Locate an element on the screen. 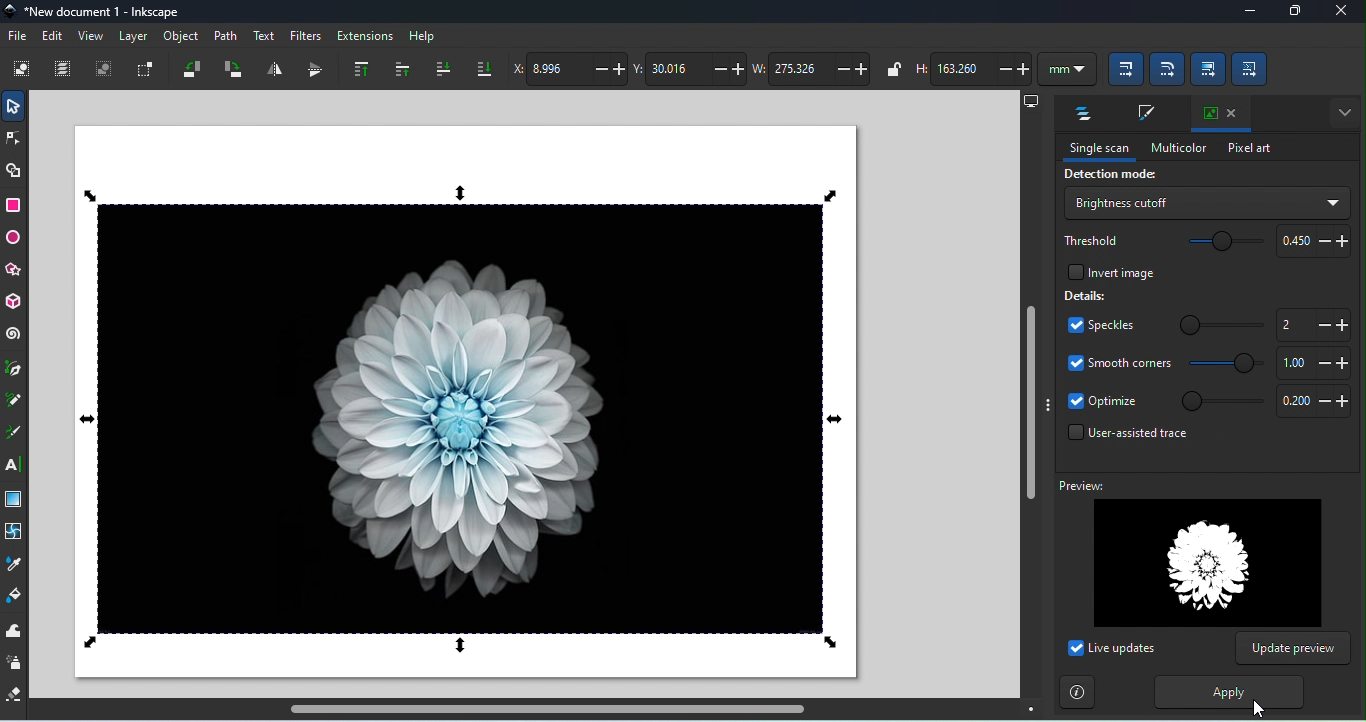 The width and height of the screenshot is (1366, 722). Speckles is located at coordinates (1100, 325).